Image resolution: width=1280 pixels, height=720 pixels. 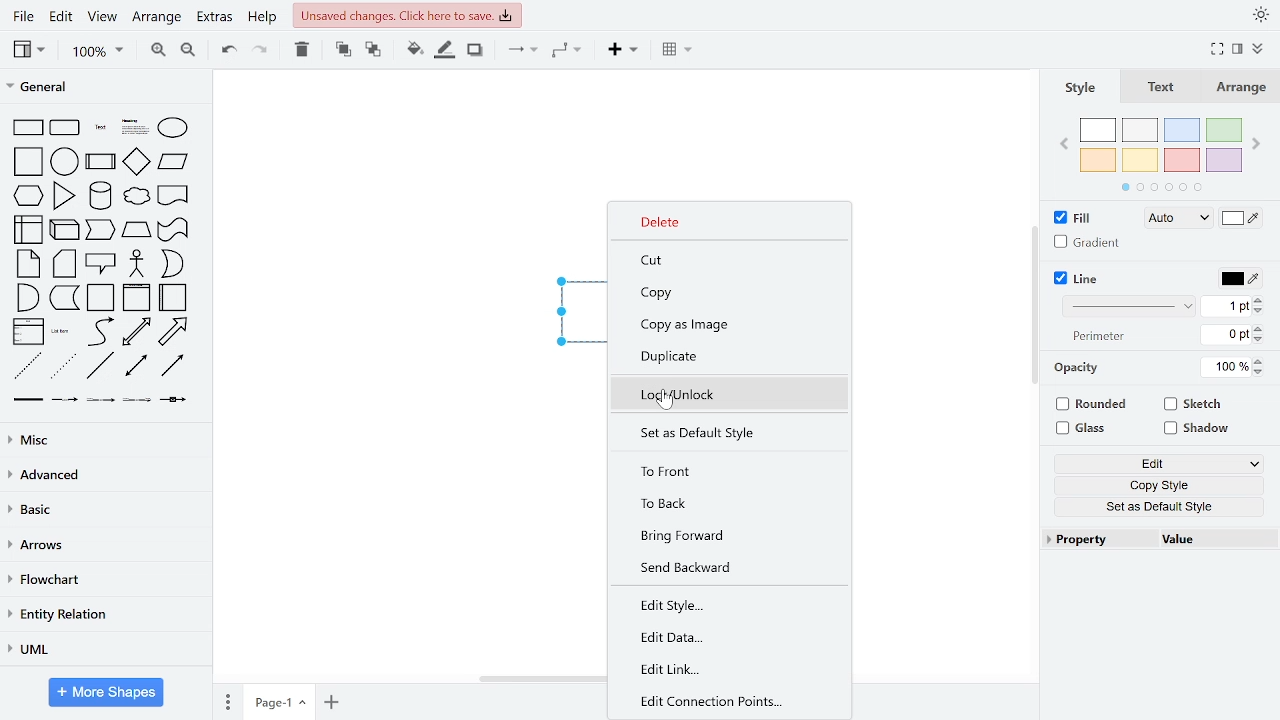 I want to click on general , so click(x=105, y=89).